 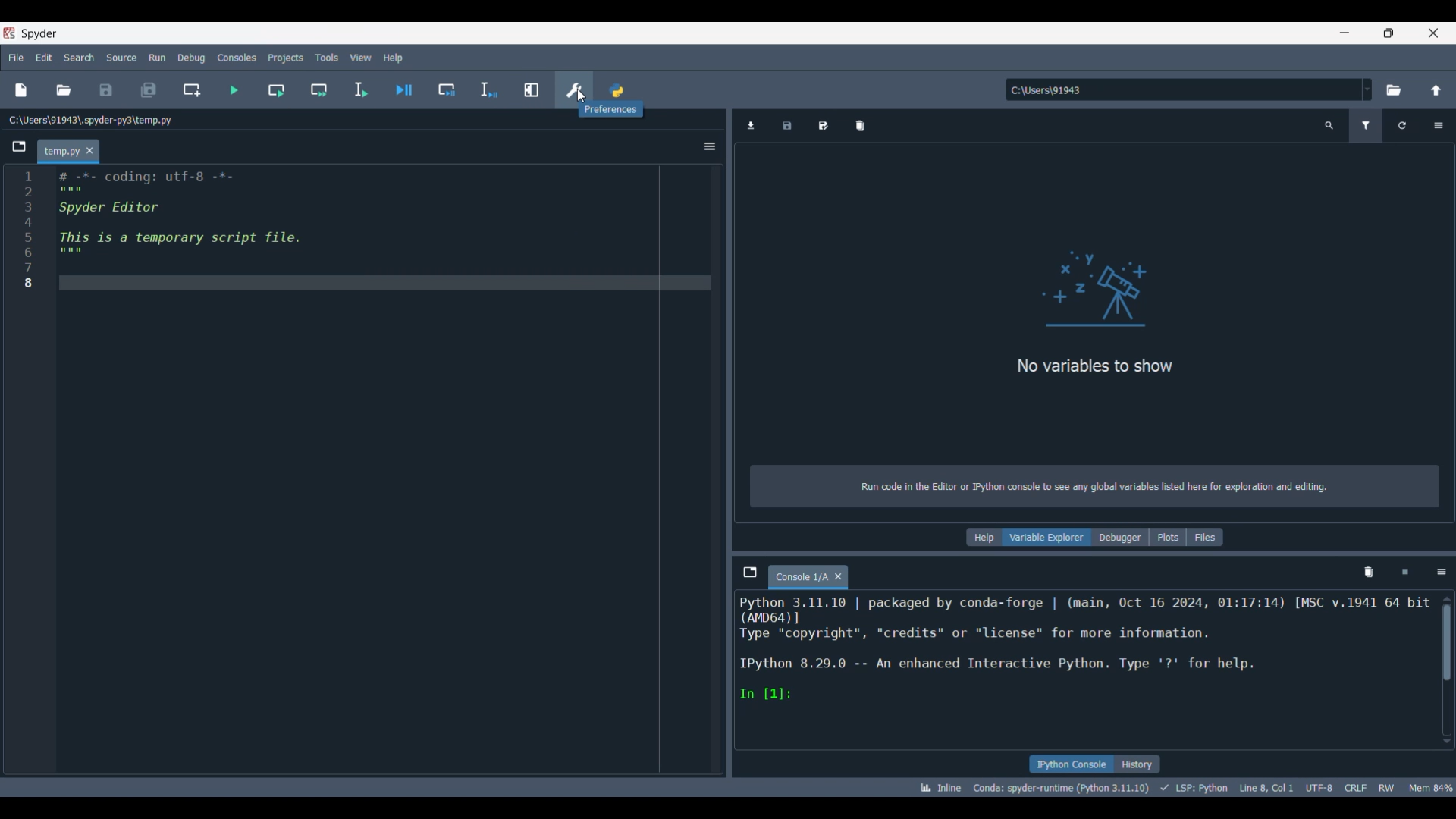 I want to click on Create new cell at current line, so click(x=191, y=90).